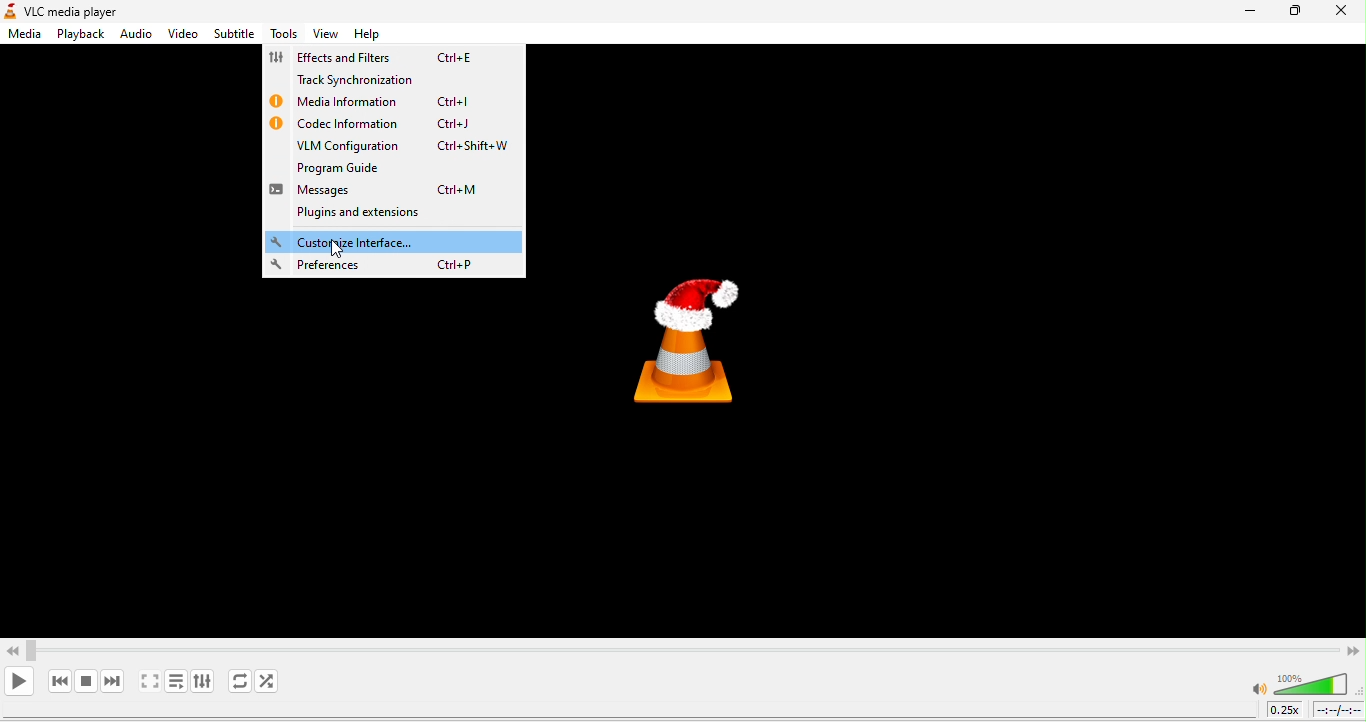  Describe the element at coordinates (386, 192) in the screenshot. I see `messages` at that location.